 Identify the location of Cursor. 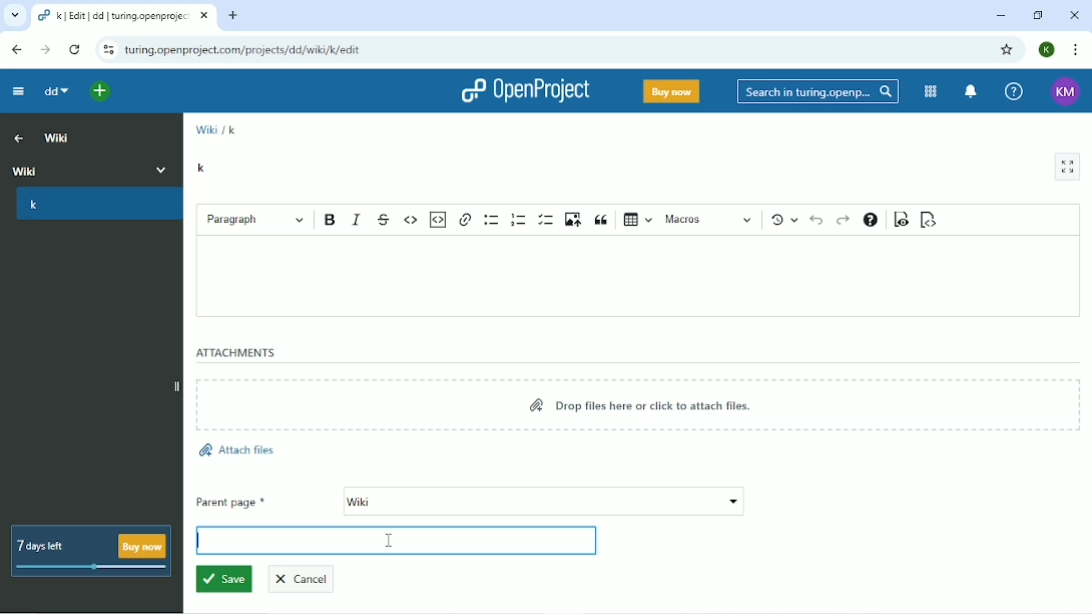
(390, 538).